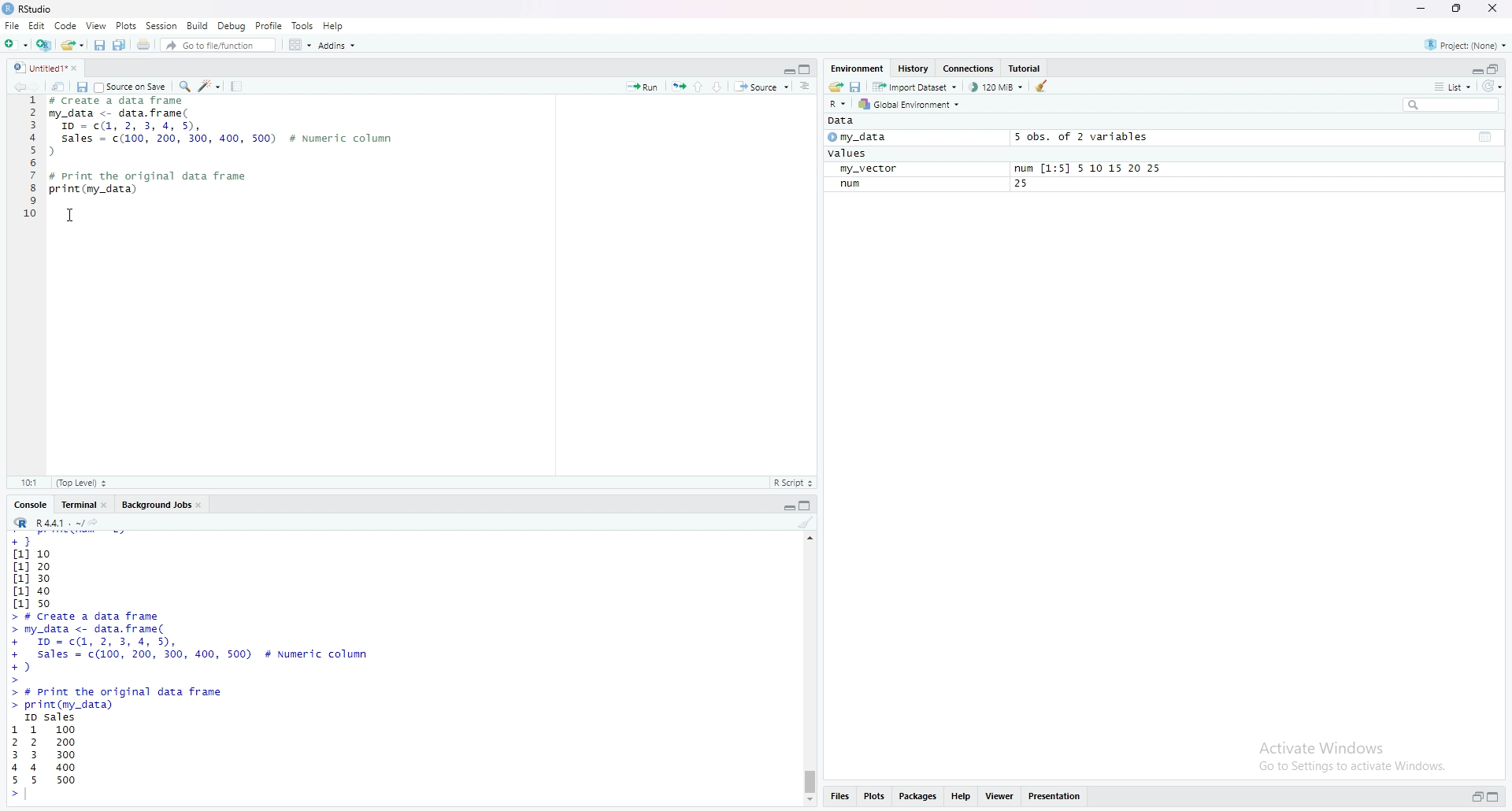 This screenshot has width=1512, height=811. What do you see at coordinates (218, 46) in the screenshot?
I see `go to file/function` at bounding box center [218, 46].